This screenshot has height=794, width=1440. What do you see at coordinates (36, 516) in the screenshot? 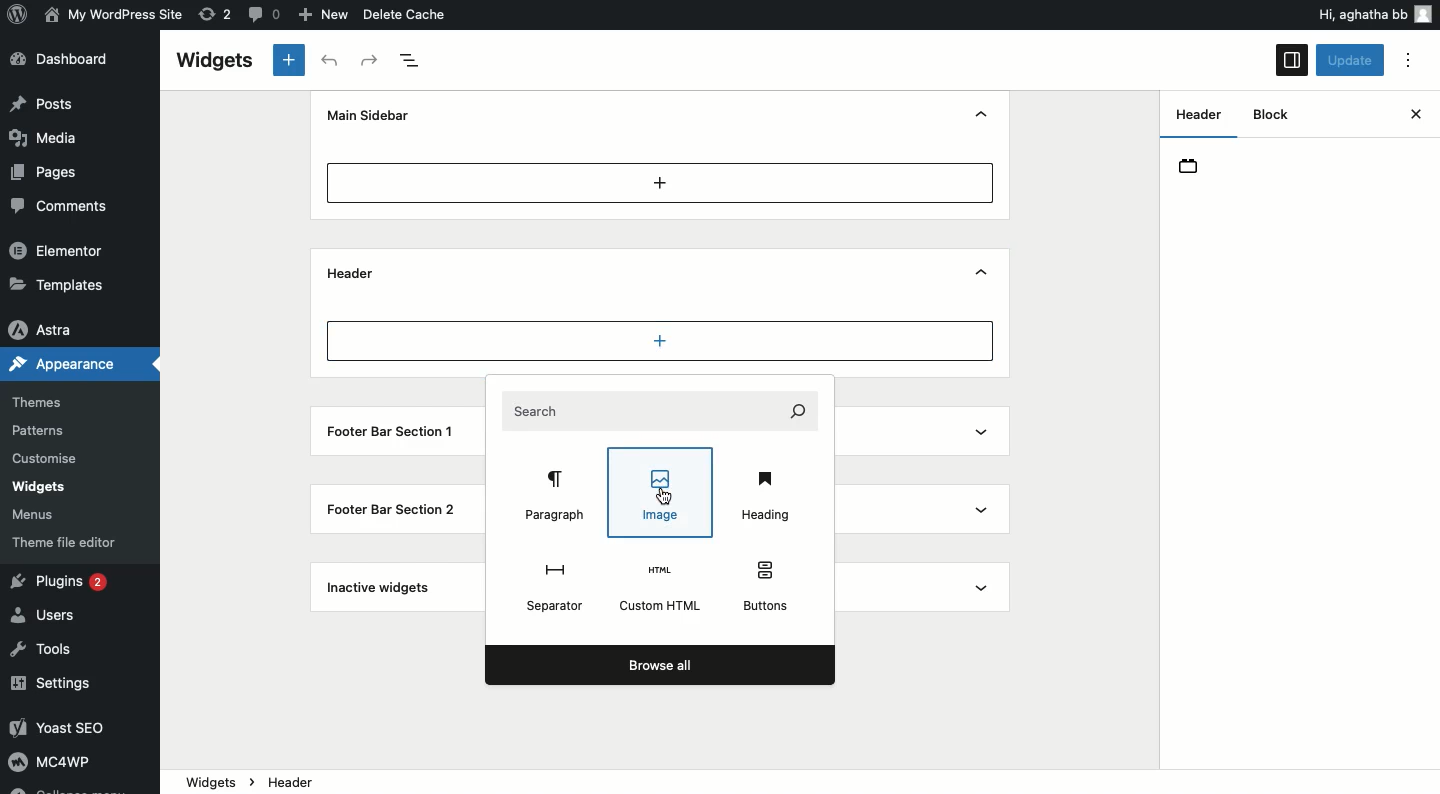
I see `Menus` at bounding box center [36, 516].